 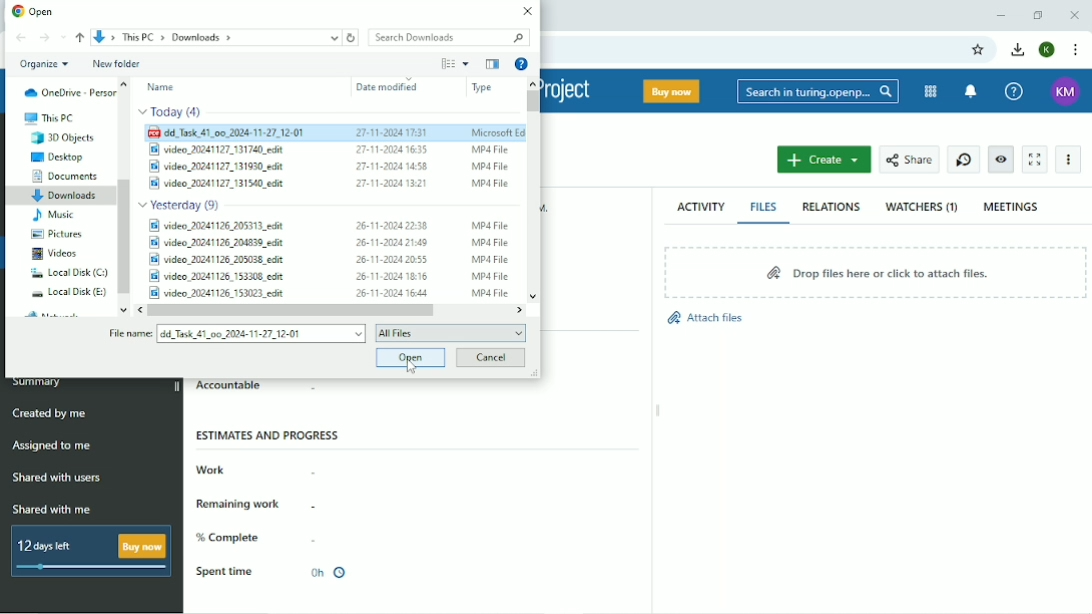 What do you see at coordinates (318, 469) in the screenshot?
I see `-` at bounding box center [318, 469].